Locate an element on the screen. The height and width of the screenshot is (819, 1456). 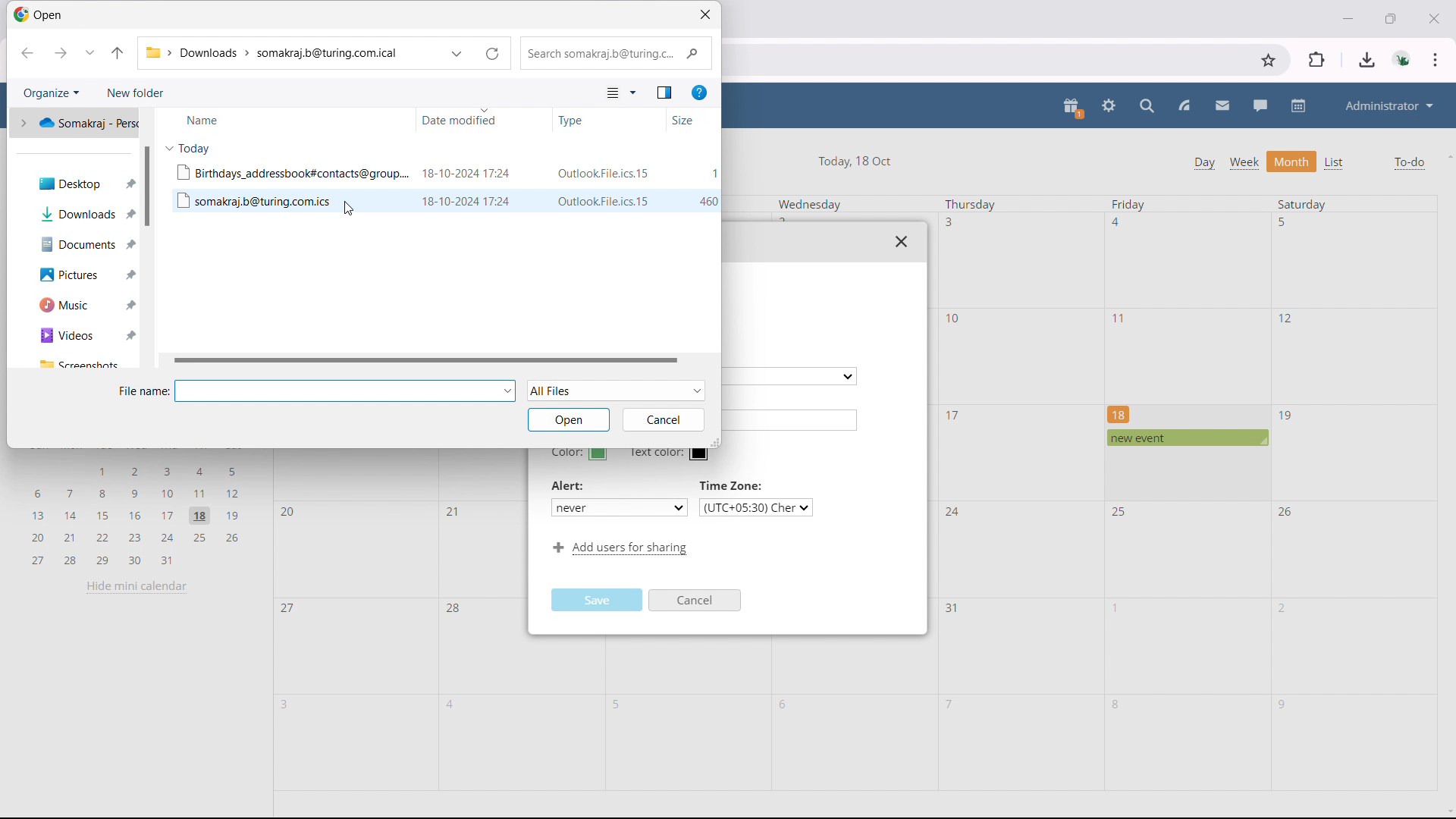
3 is located at coordinates (949, 221).